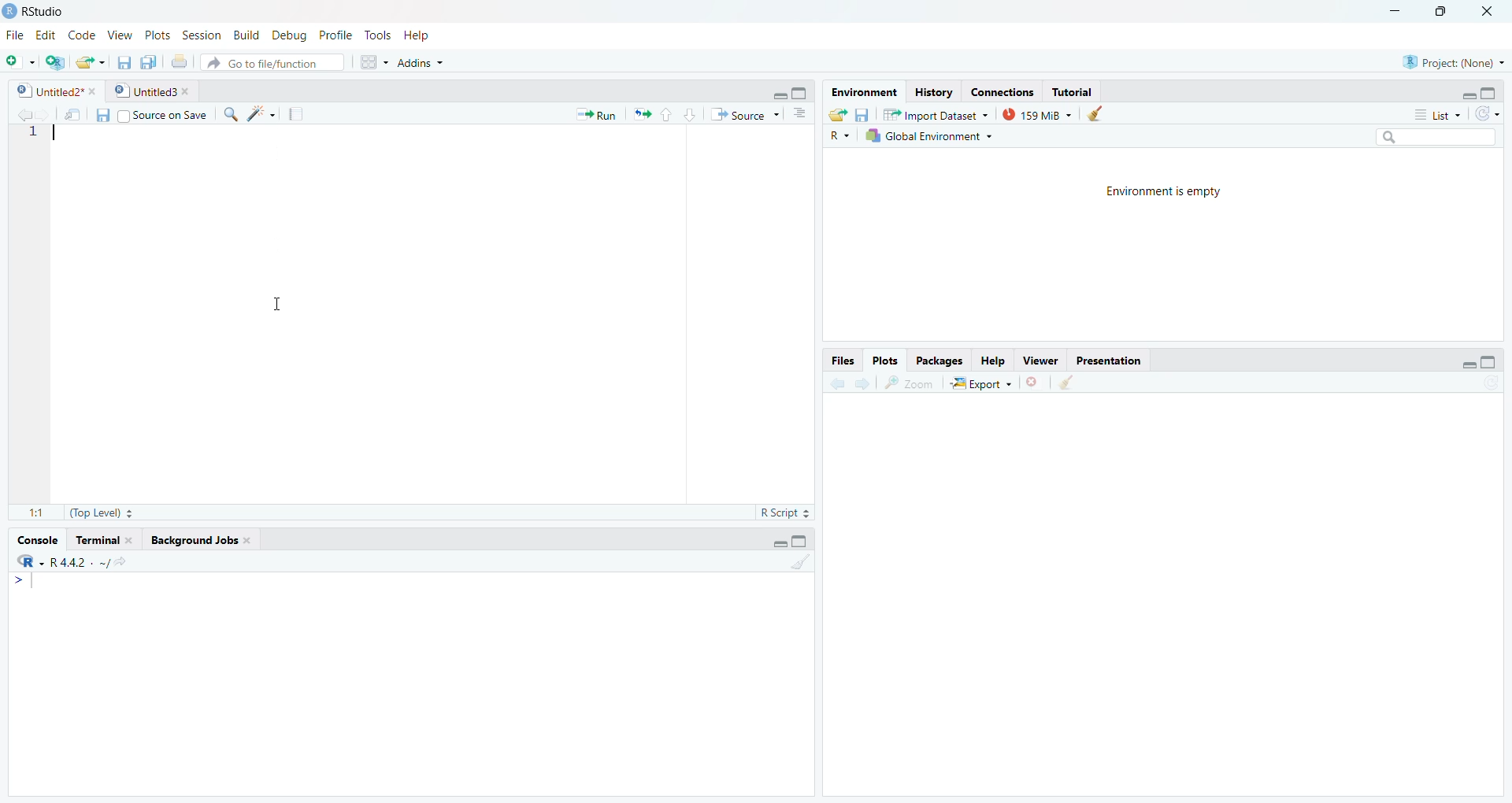 This screenshot has width=1512, height=803. What do you see at coordinates (278, 303) in the screenshot?
I see `Cursor` at bounding box center [278, 303].